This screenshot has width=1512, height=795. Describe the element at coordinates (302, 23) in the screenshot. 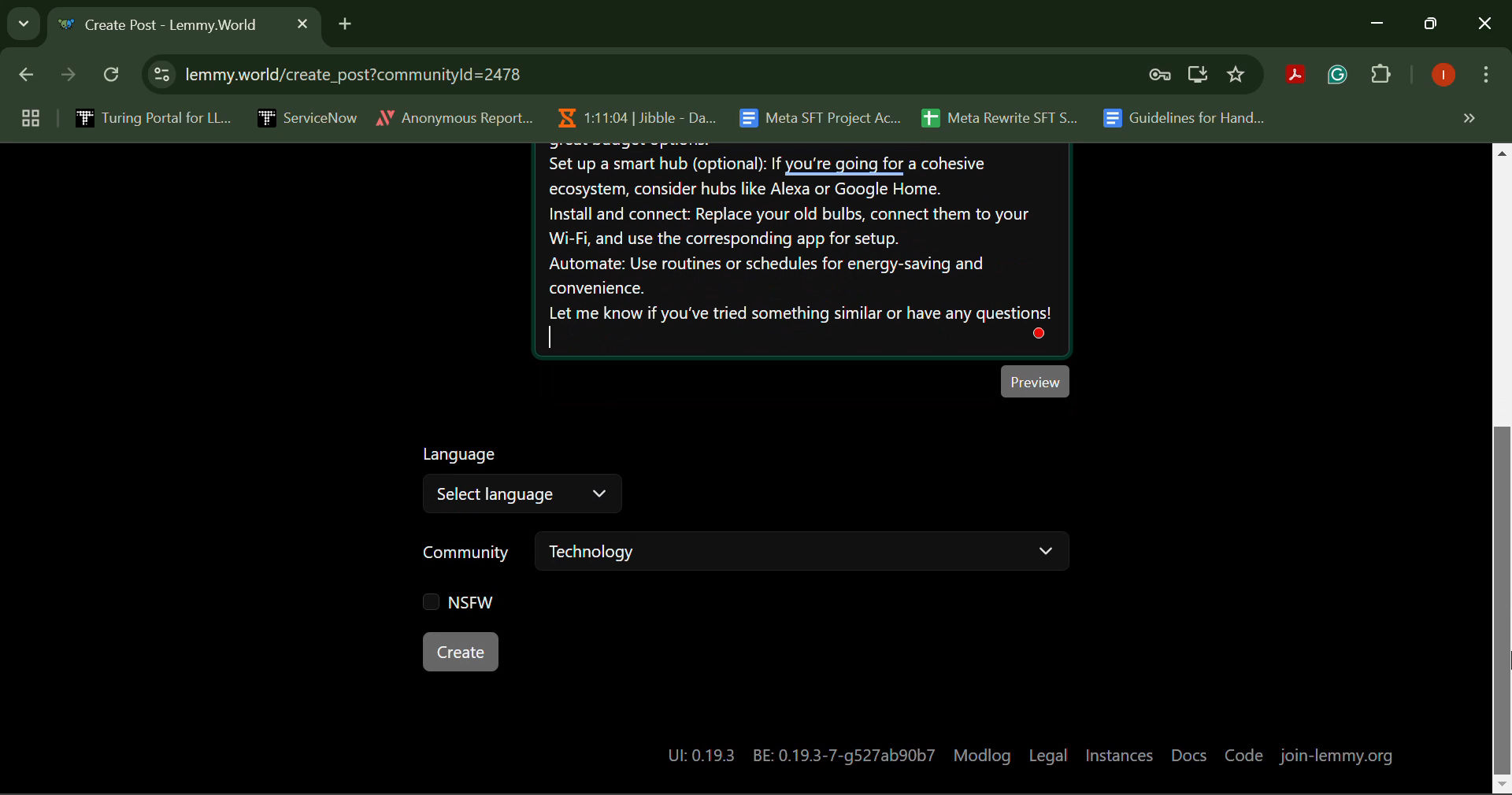

I see `Close Tab` at that location.